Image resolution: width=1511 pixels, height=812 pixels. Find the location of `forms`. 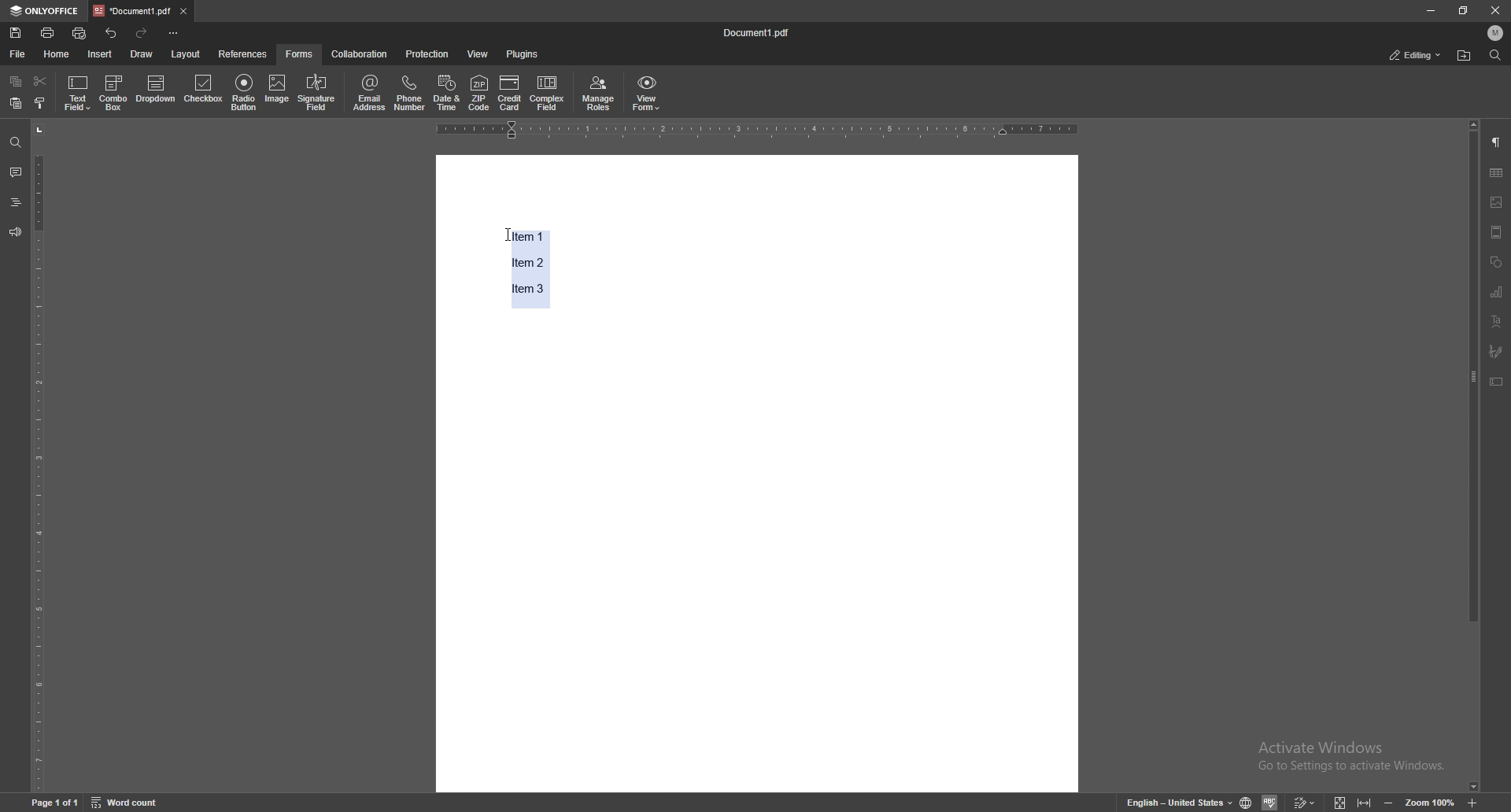

forms is located at coordinates (300, 54).